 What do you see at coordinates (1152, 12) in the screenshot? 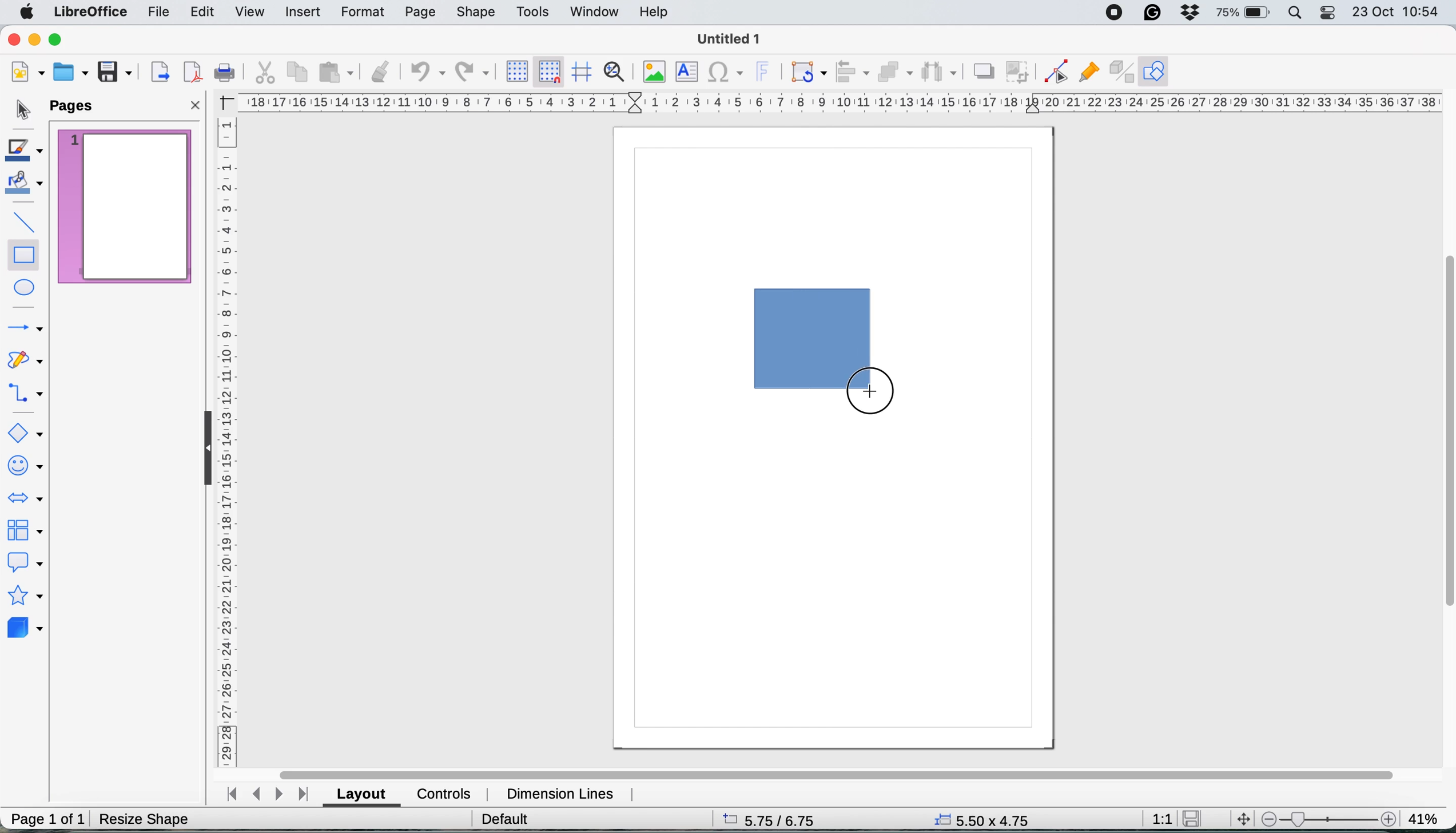
I see `grammarly` at bounding box center [1152, 12].